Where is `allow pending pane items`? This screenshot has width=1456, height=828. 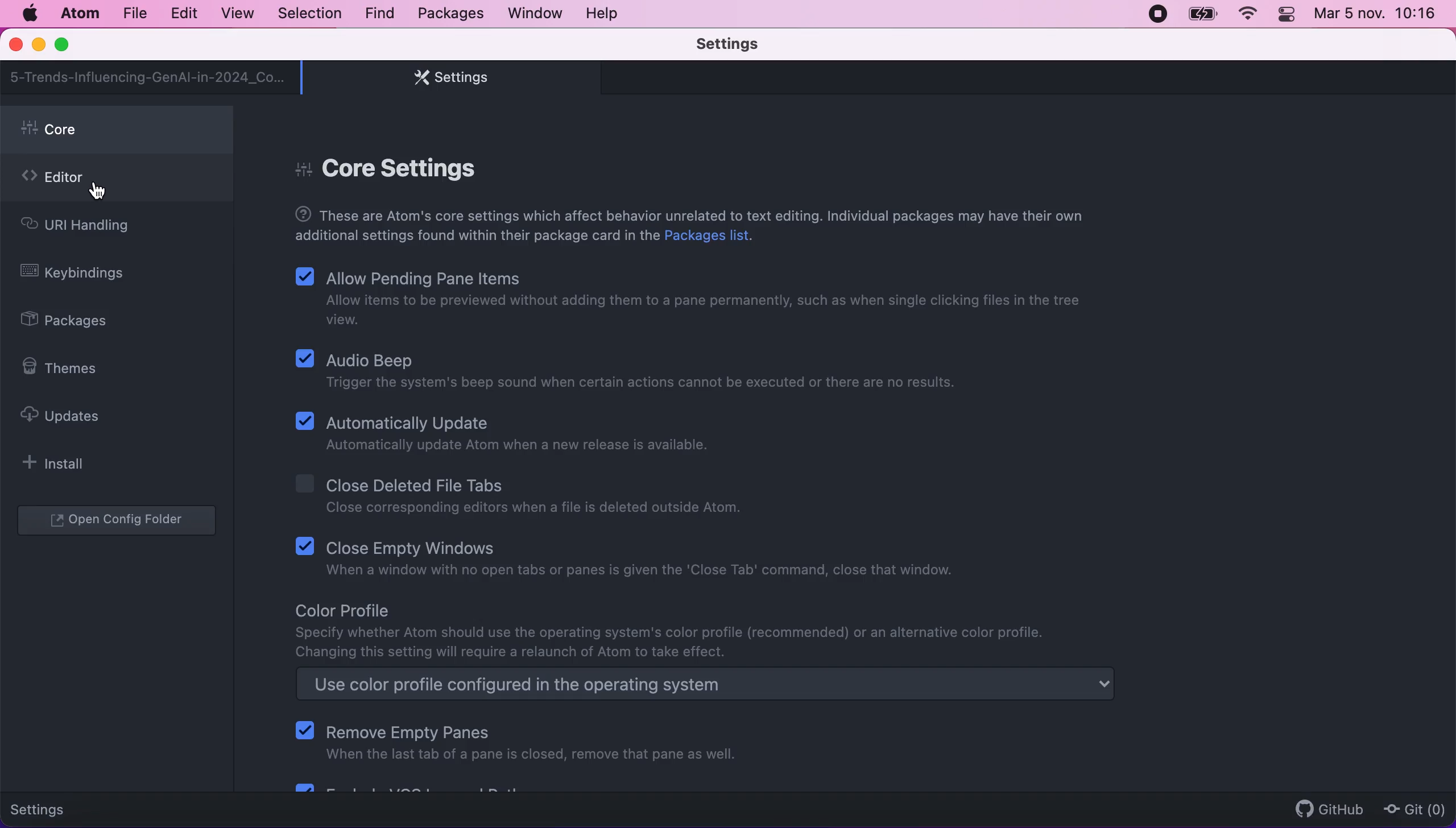
allow pending pane items is located at coordinates (701, 298).